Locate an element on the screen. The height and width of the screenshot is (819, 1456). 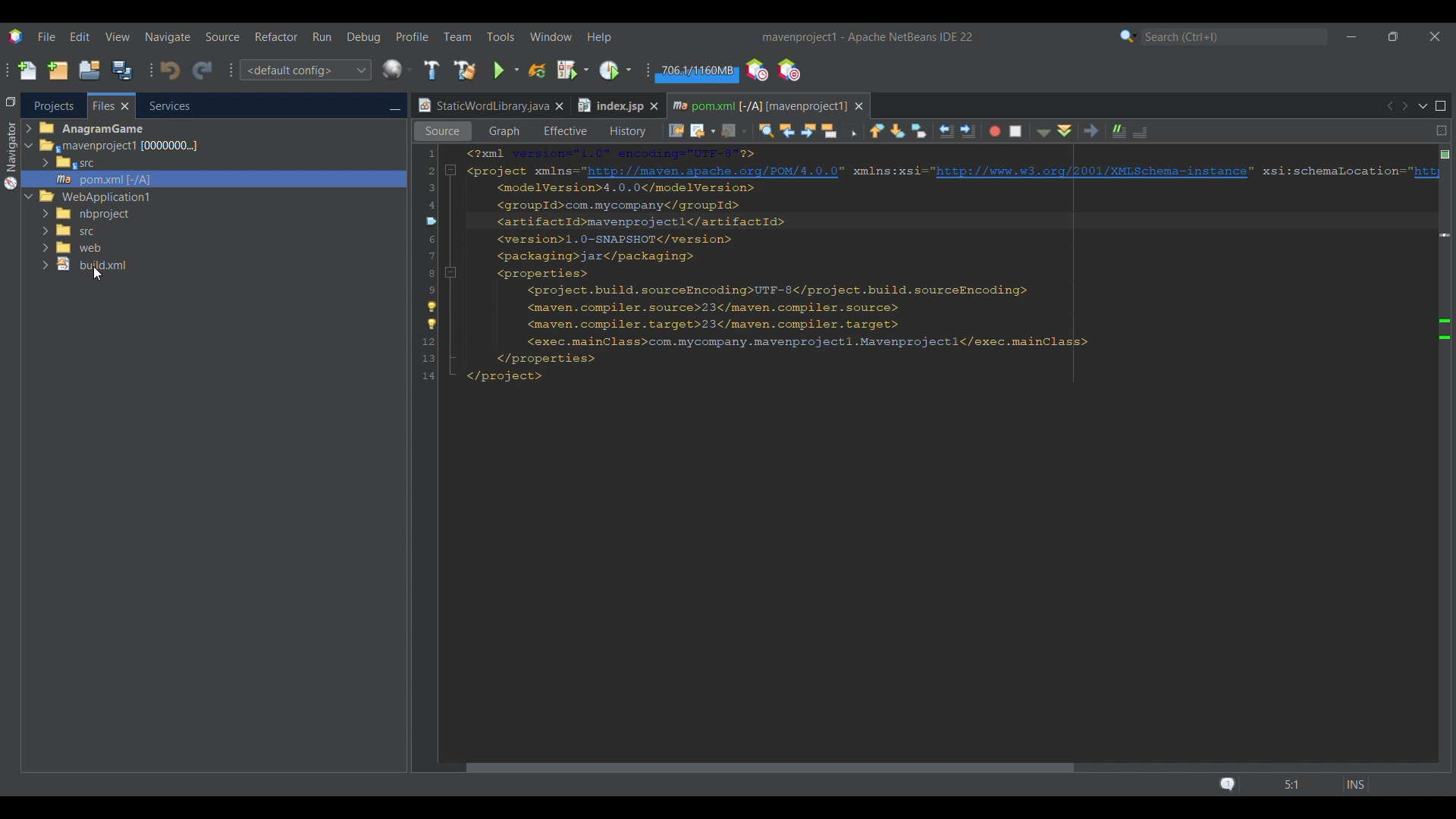
Configuration options is located at coordinates (305, 70).